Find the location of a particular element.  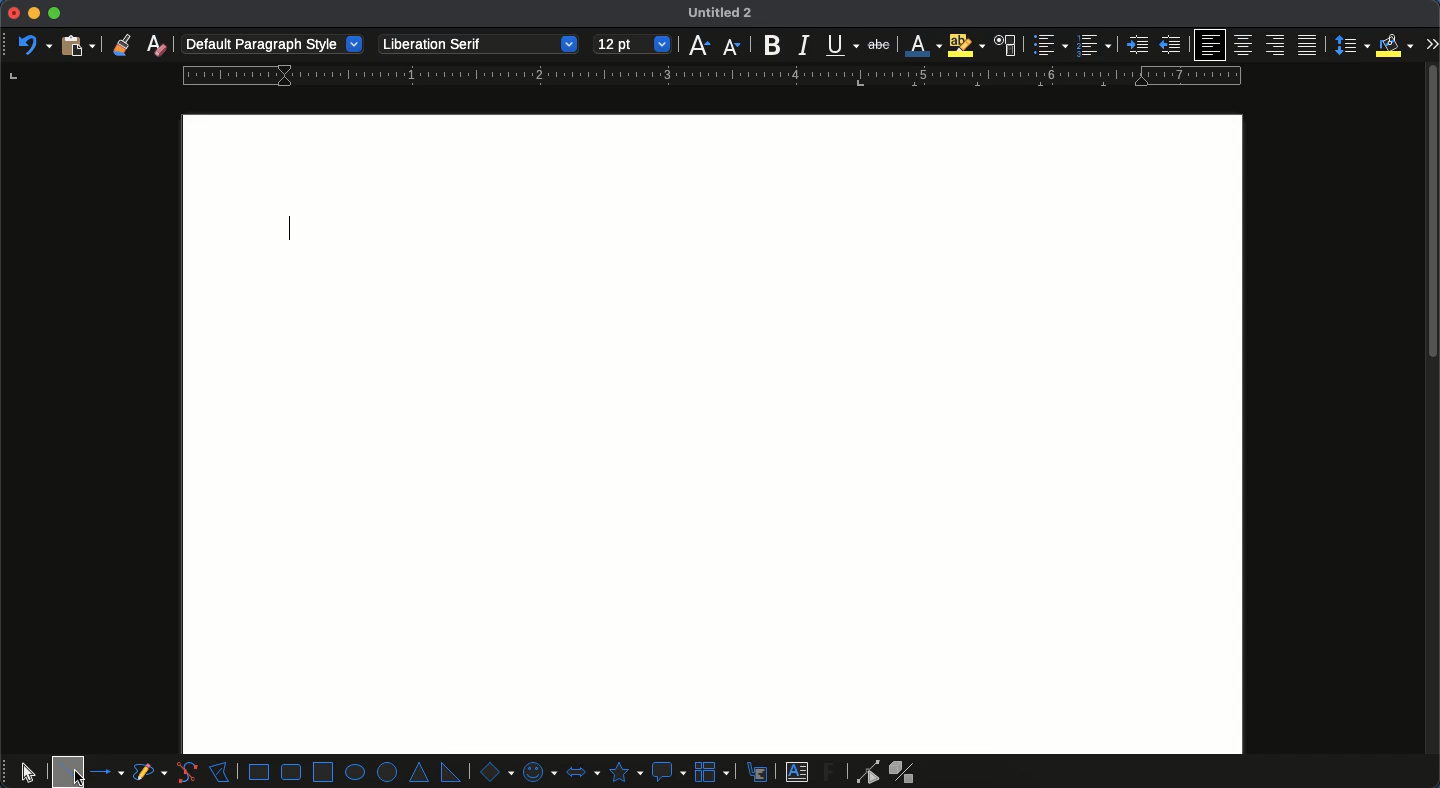

decrease size is located at coordinates (698, 44).